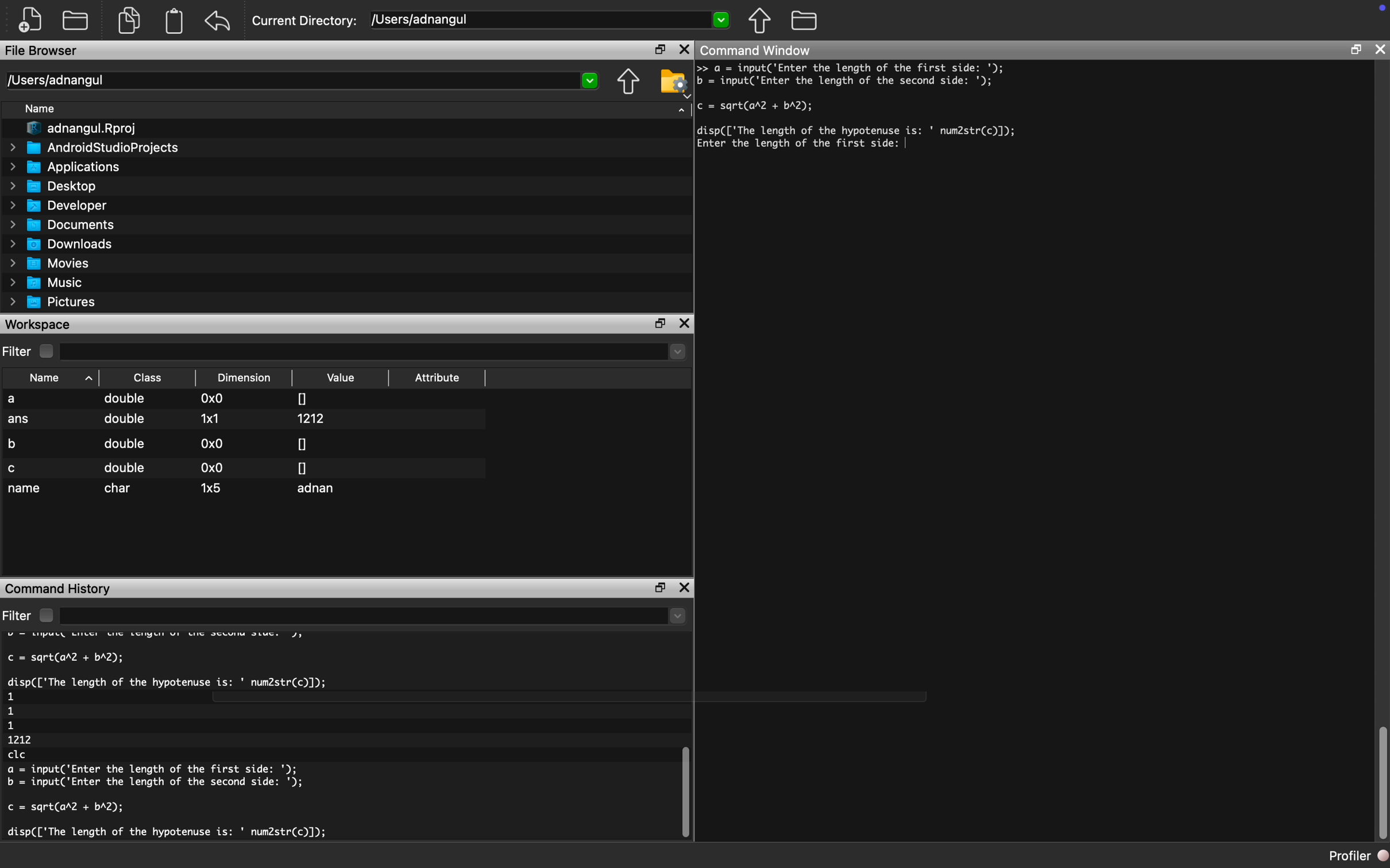 This screenshot has width=1390, height=868. What do you see at coordinates (53, 283) in the screenshot?
I see `Music` at bounding box center [53, 283].